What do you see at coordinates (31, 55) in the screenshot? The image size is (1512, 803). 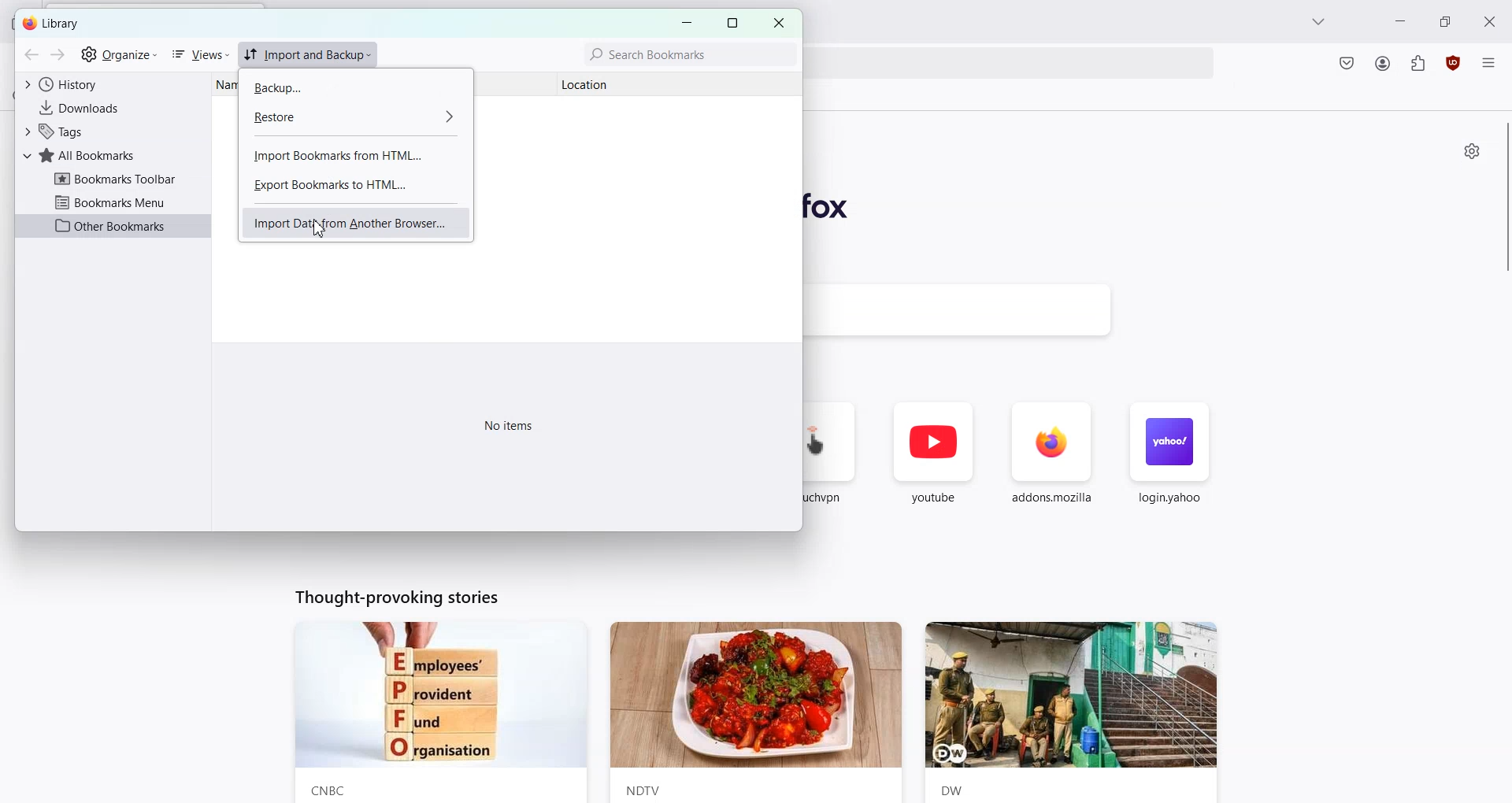 I see `Go back` at bounding box center [31, 55].